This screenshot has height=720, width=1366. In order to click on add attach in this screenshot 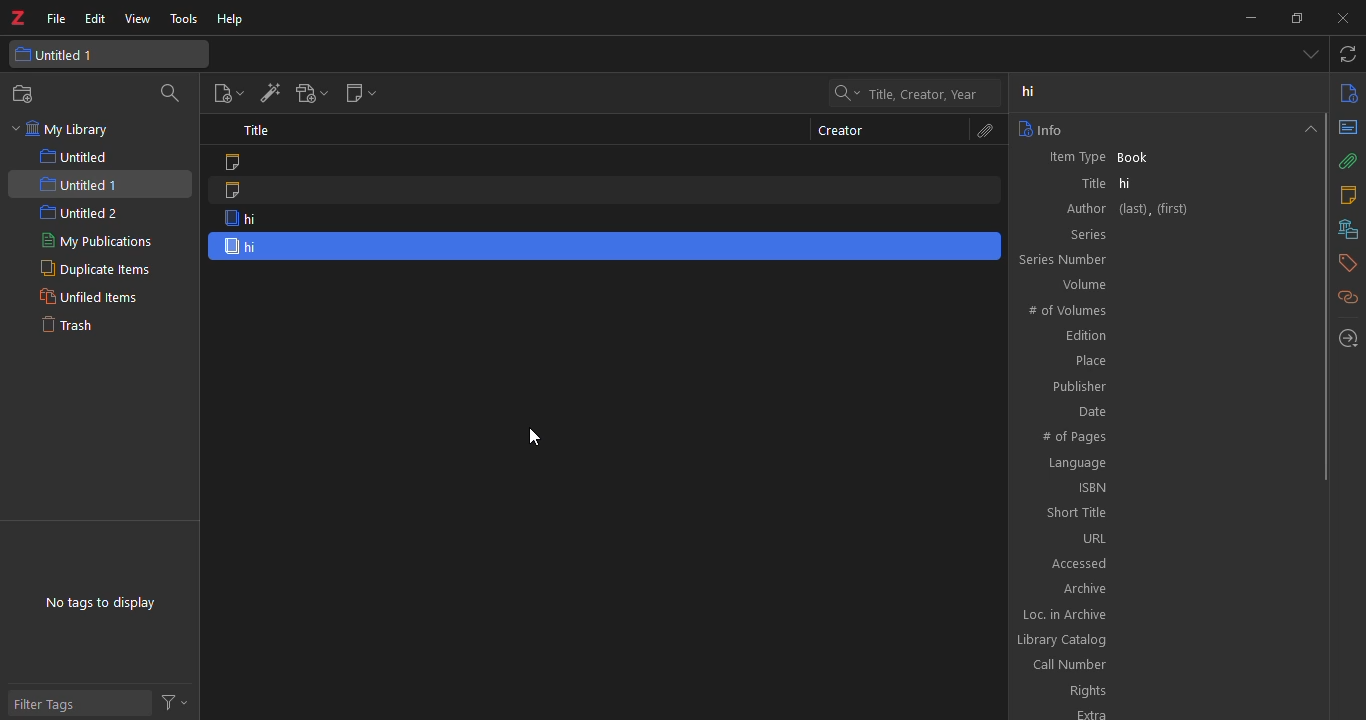, I will do `click(312, 93)`.